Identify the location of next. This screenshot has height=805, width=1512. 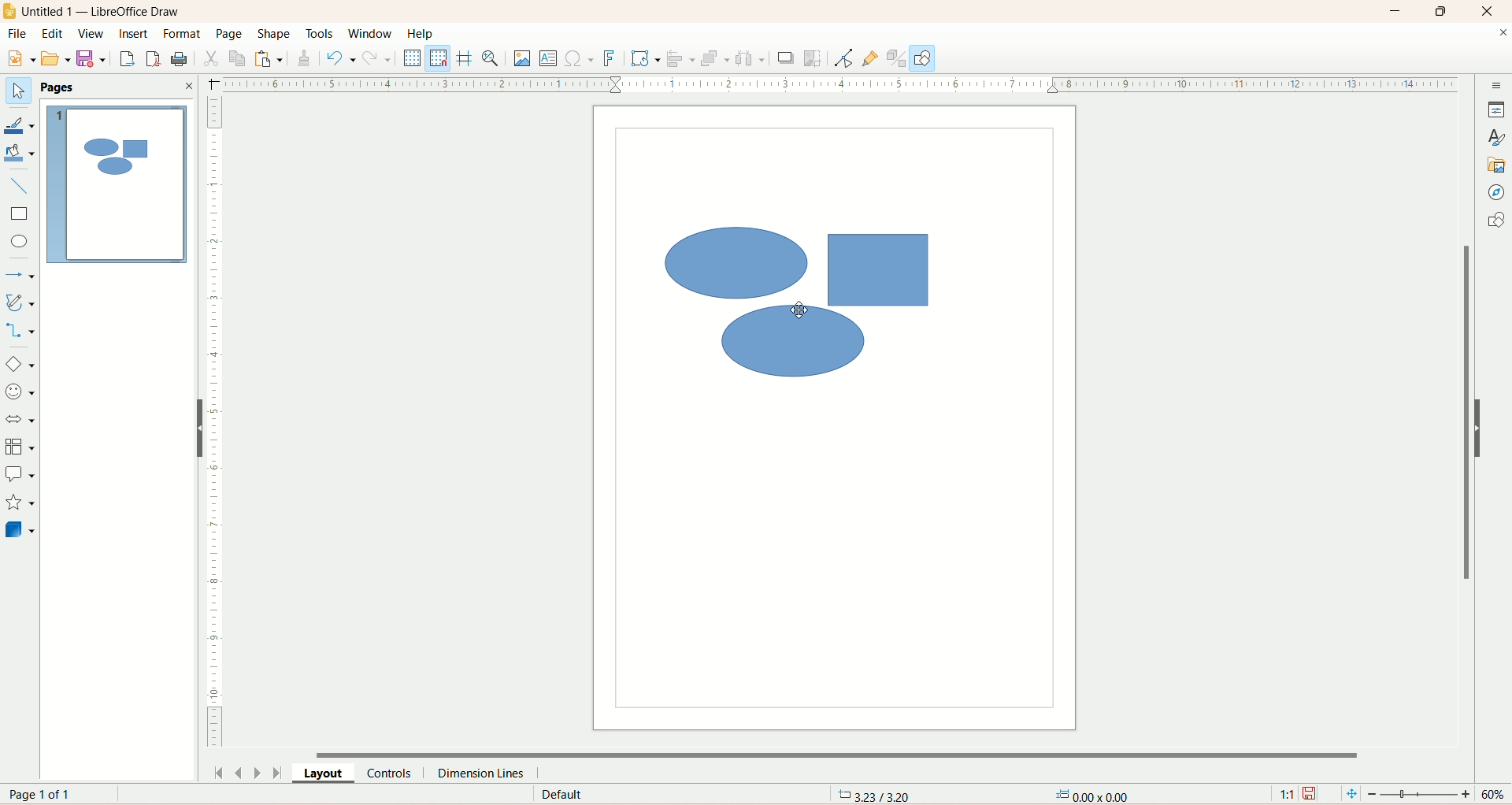
(259, 773).